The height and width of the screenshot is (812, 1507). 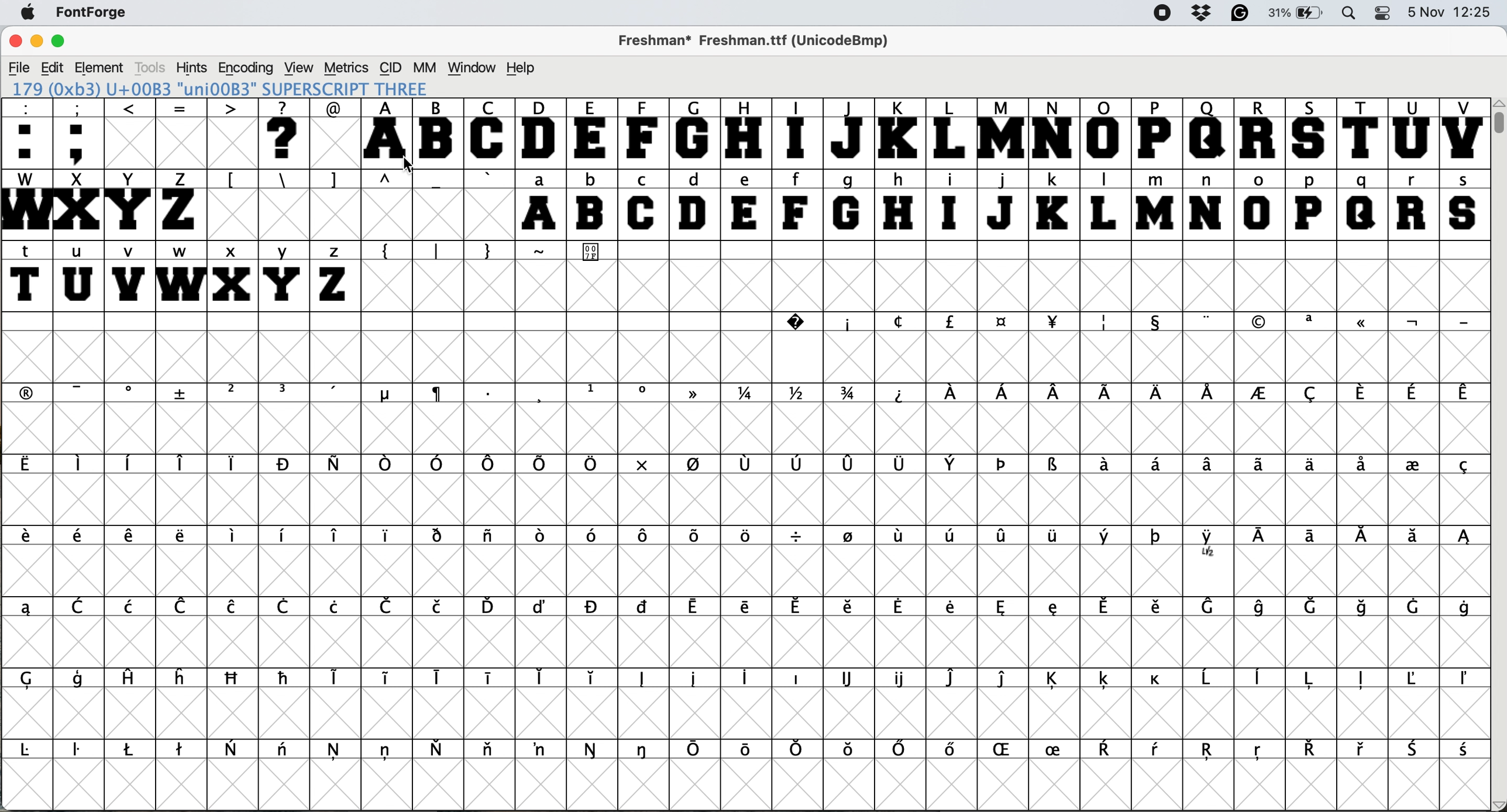 I want to click on symbol, so click(x=1261, y=463).